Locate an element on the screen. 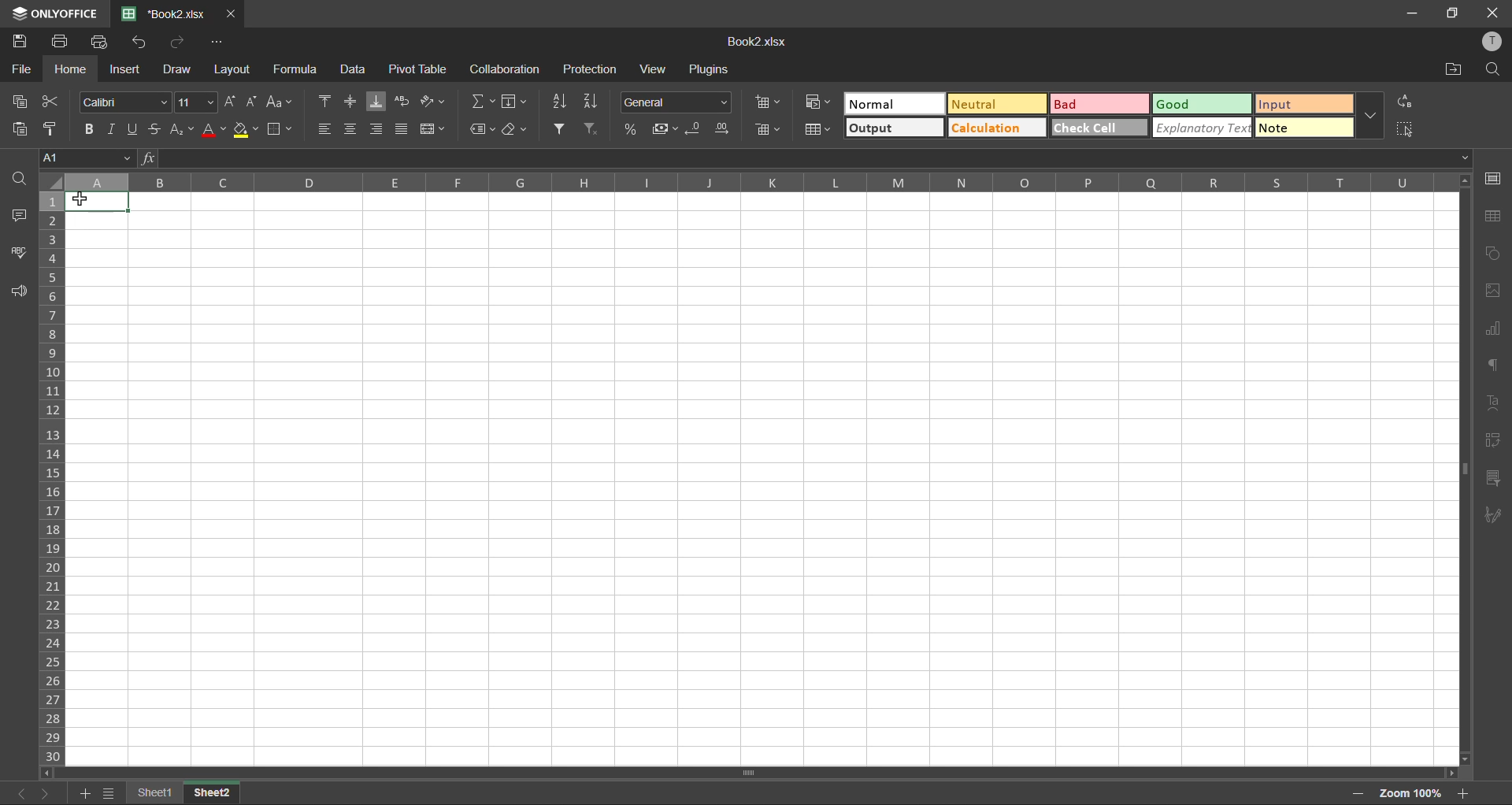 Image resolution: width=1512 pixels, height=805 pixels. increase decimal is located at coordinates (726, 129).